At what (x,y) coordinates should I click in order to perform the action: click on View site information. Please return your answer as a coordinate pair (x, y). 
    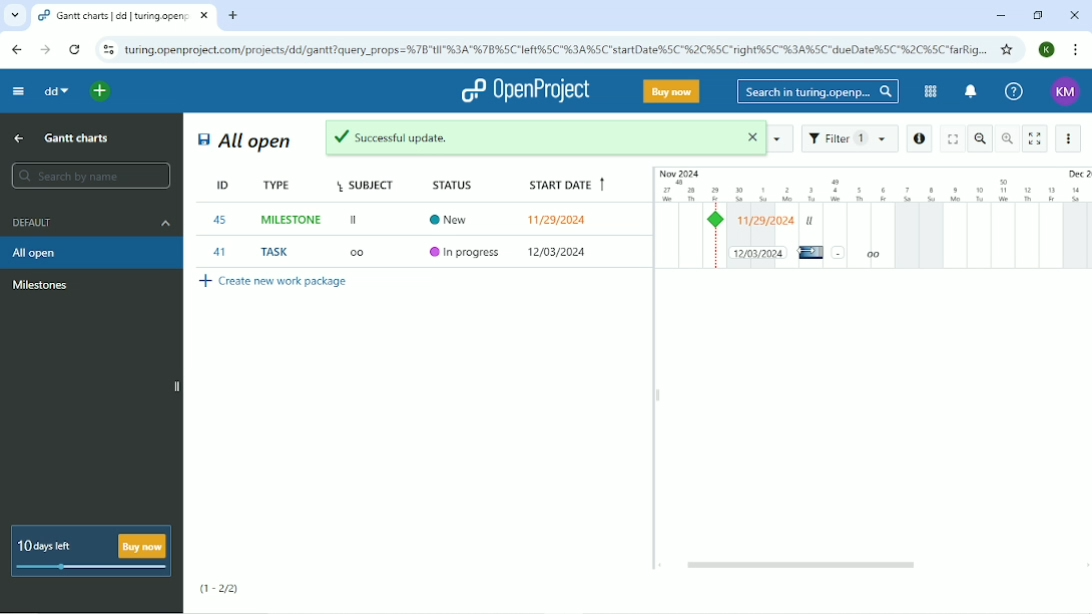
    Looking at the image, I should click on (107, 50).